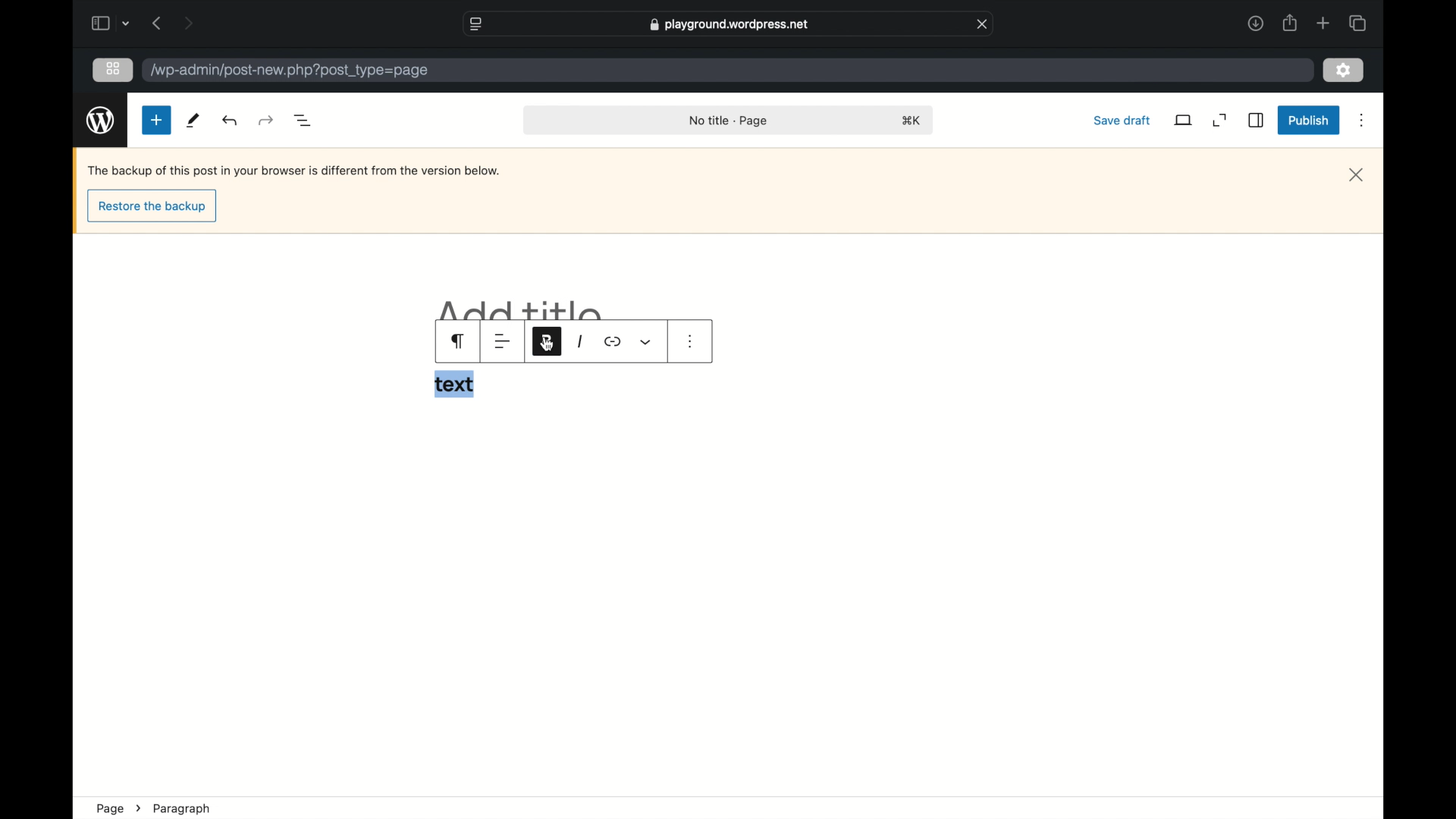 The width and height of the screenshot is (1456, 819). Describe the element at coordinates (296, 171) in the screenshot. I see `Backup notification` at that location.